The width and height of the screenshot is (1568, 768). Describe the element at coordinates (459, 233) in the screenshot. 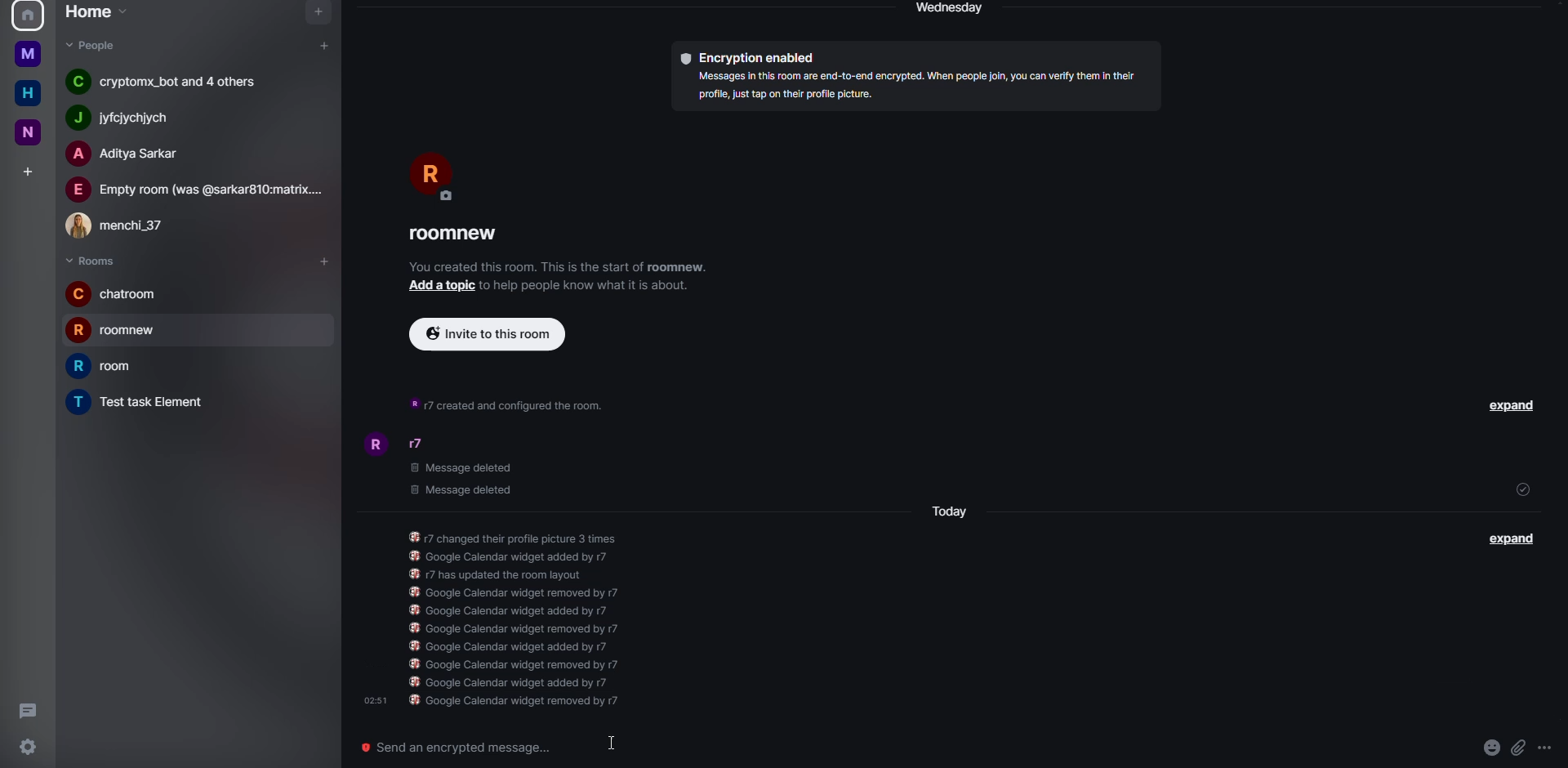

I see `room` at that location.